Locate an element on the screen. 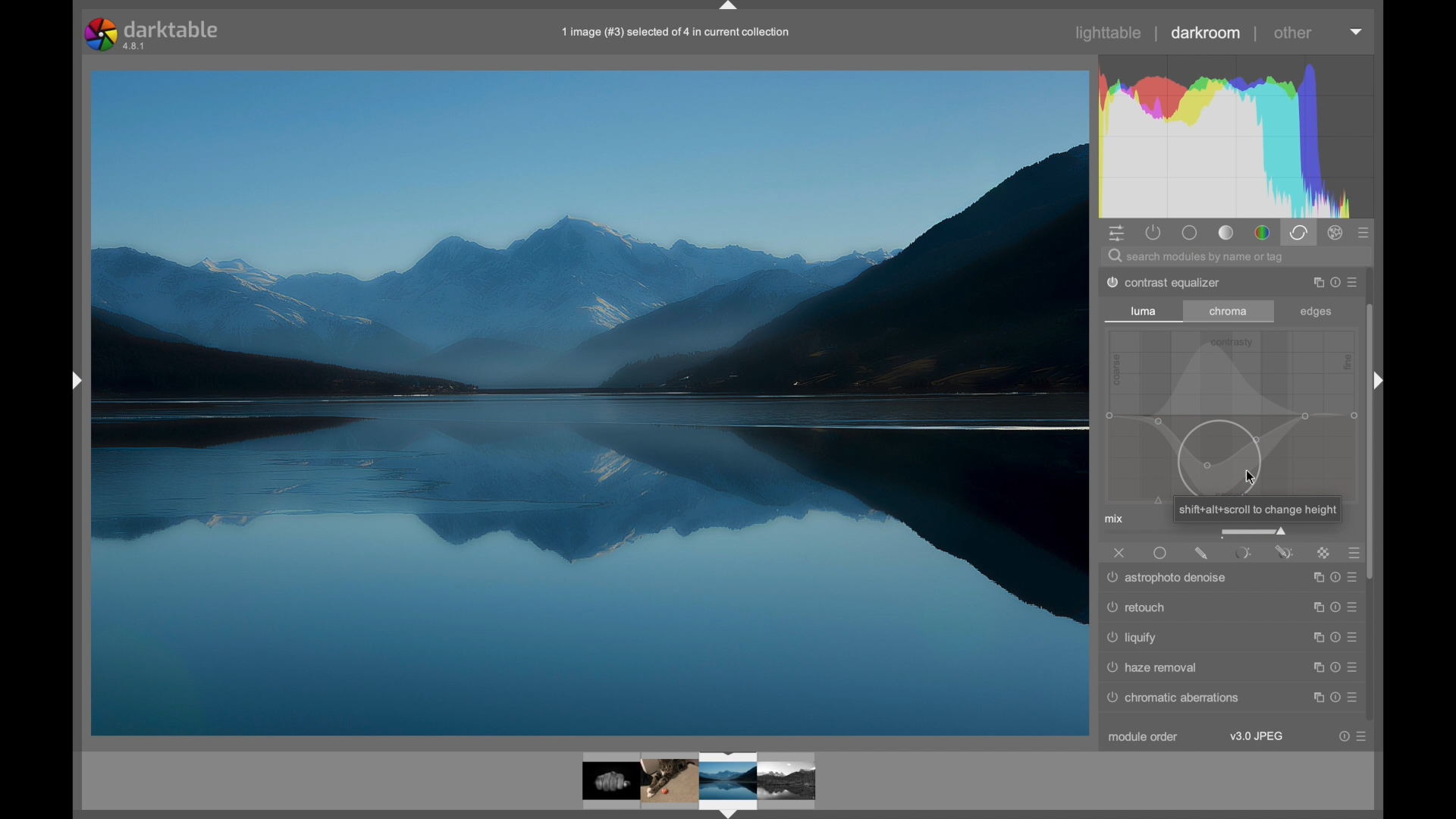 This screenshot has width=1456, height=819. tooltip is located at coordinates (1256, 510).